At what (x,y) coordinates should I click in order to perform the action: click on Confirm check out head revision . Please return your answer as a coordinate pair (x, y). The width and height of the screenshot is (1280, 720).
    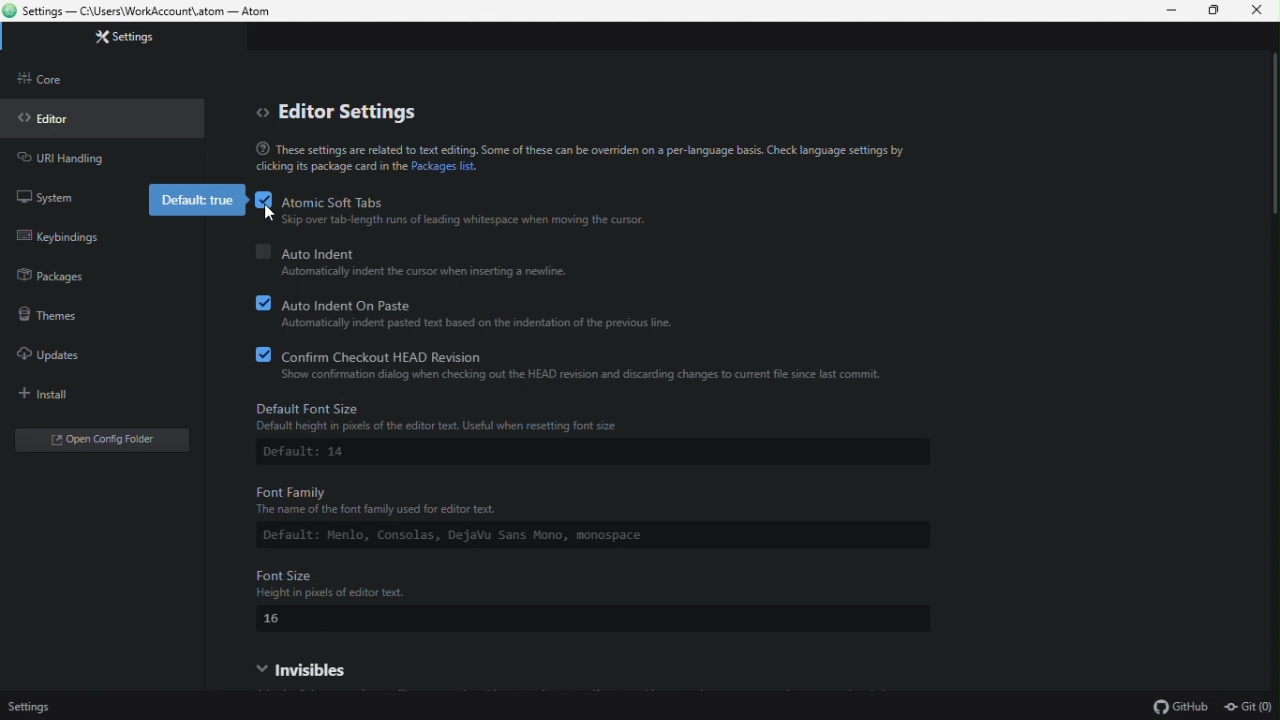
    Looking at the image, I should click on (555, 353).